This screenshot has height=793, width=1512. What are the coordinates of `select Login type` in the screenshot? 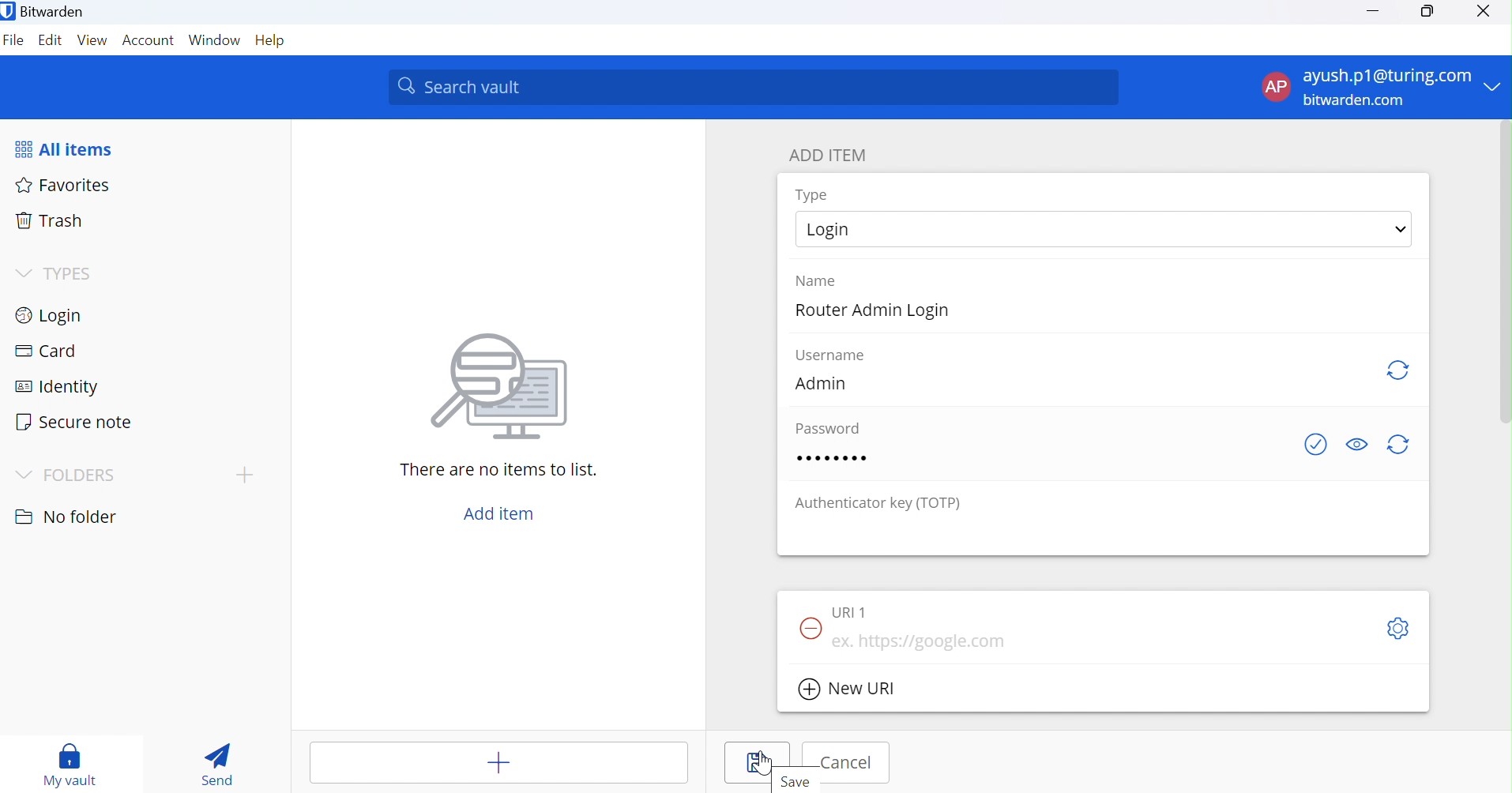 It's located at (1104, 228).